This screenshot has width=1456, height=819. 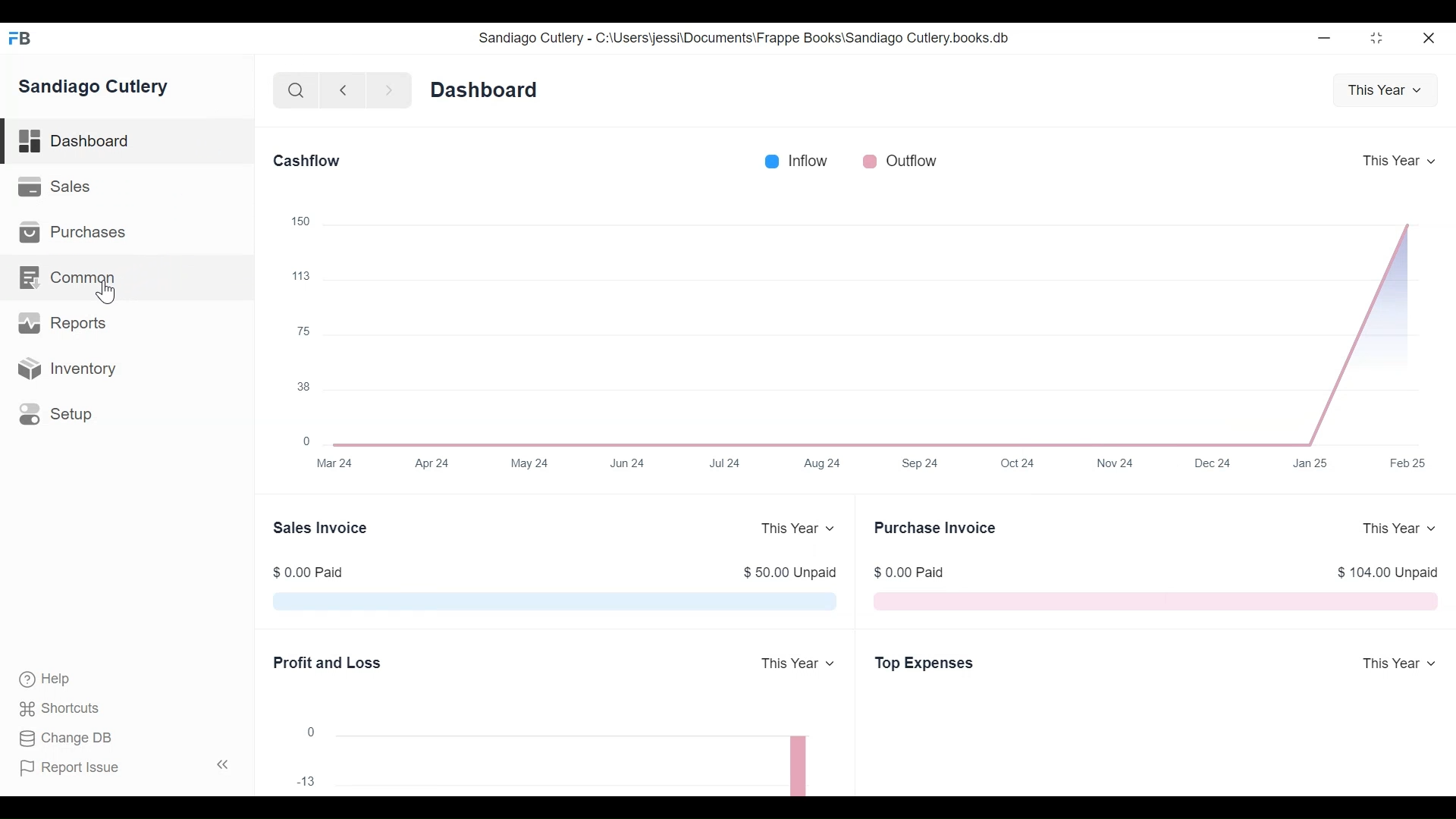 What do you see at coordinates (747, 39) in the screenshot?
I see `Sandiago Cutlery - C:\Users\jessi\Documents\Frappe Books\Sandiago Cutlery.books.db` at bounding box center [747, 39].